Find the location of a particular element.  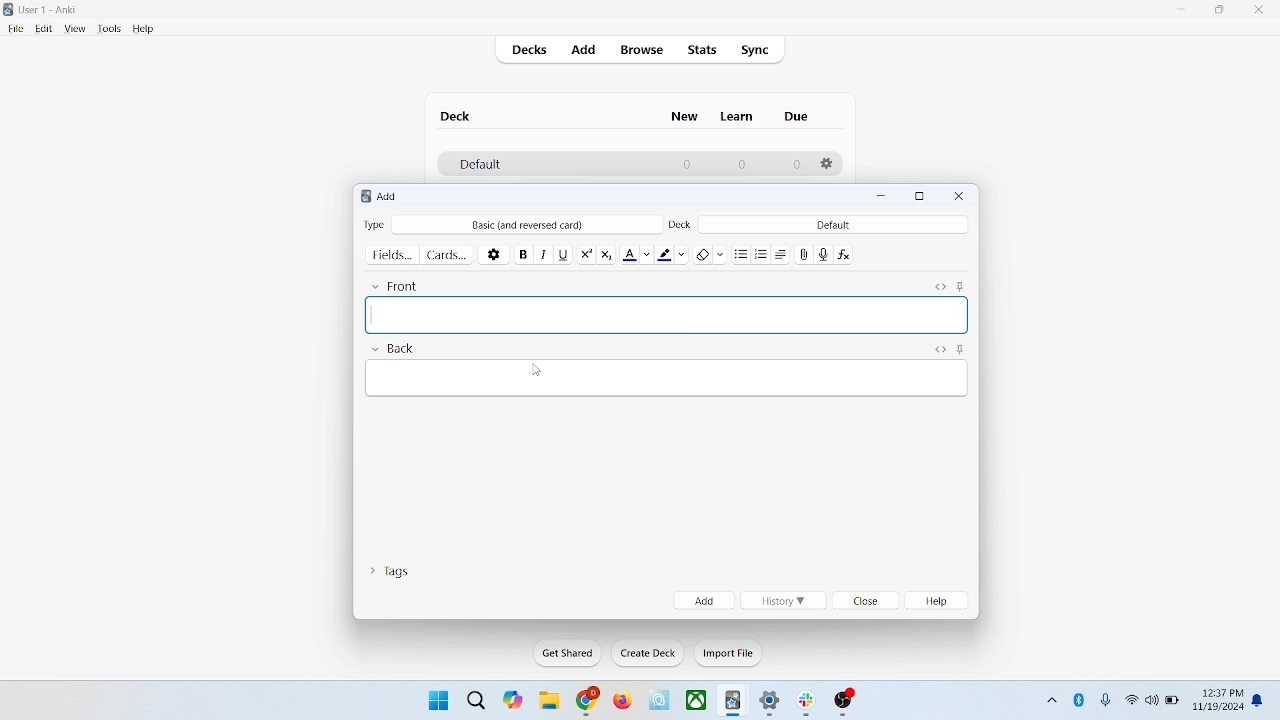

close is located at coordinates (867, 602).